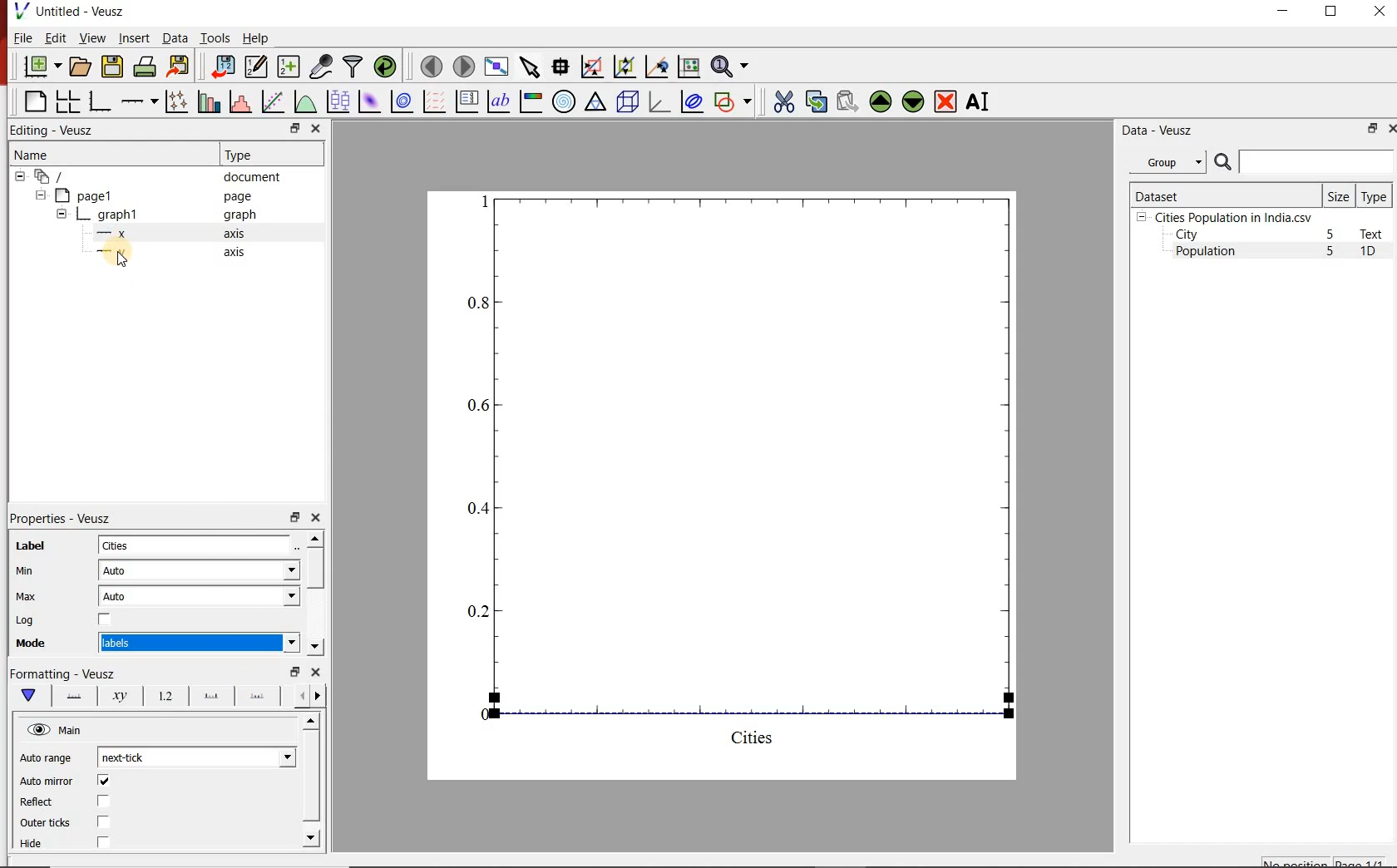 The width and height of the screenshot is (1397, 868). What do you see at coordinates (272, 101) in the screenshot?
I see `fit a function to data` at bounding box center [272, 101].